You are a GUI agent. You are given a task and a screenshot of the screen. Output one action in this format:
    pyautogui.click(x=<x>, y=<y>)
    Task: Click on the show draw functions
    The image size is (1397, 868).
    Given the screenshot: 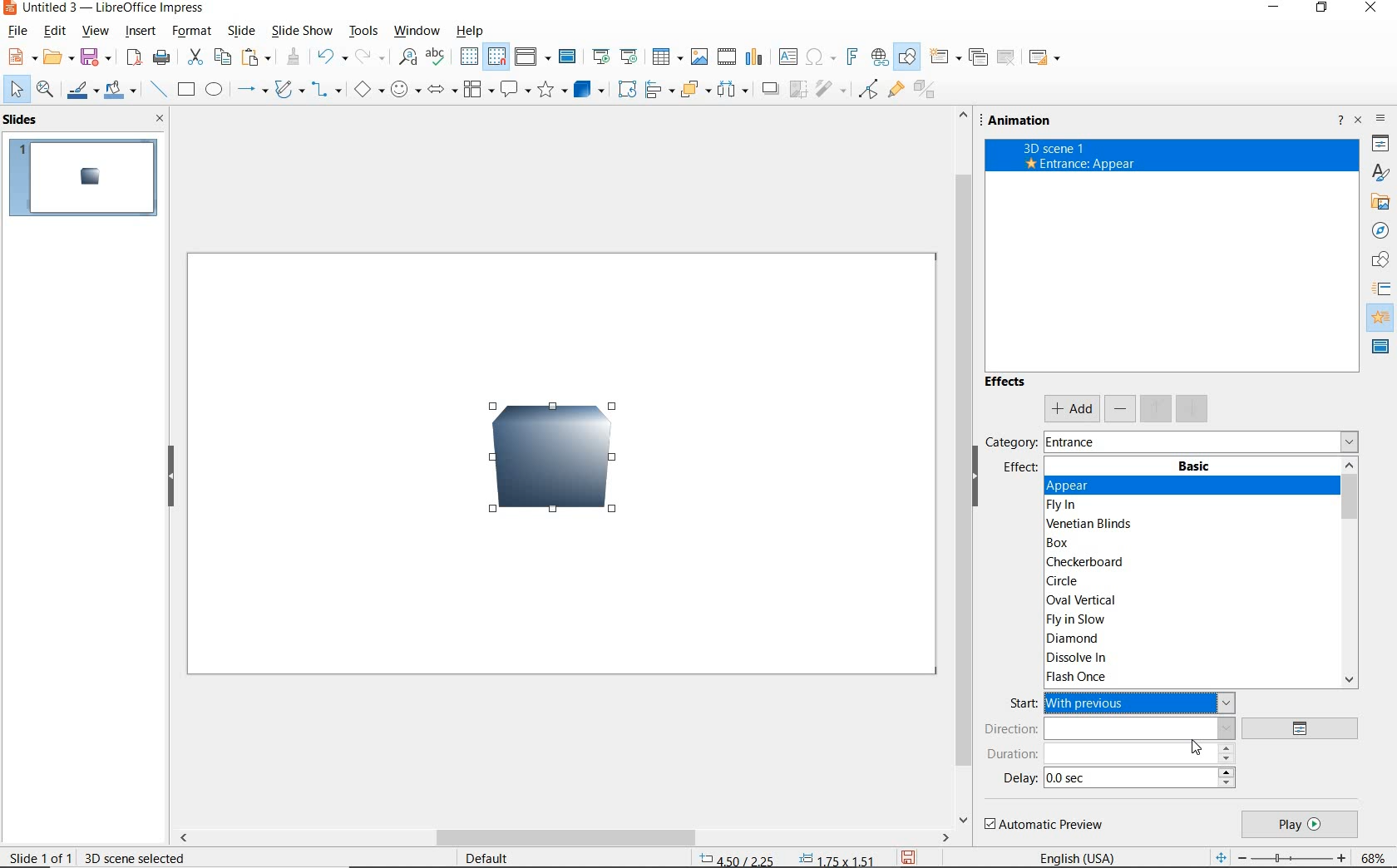 What is the action you would take?
    pyautogui.click(x=906, y=57)
    